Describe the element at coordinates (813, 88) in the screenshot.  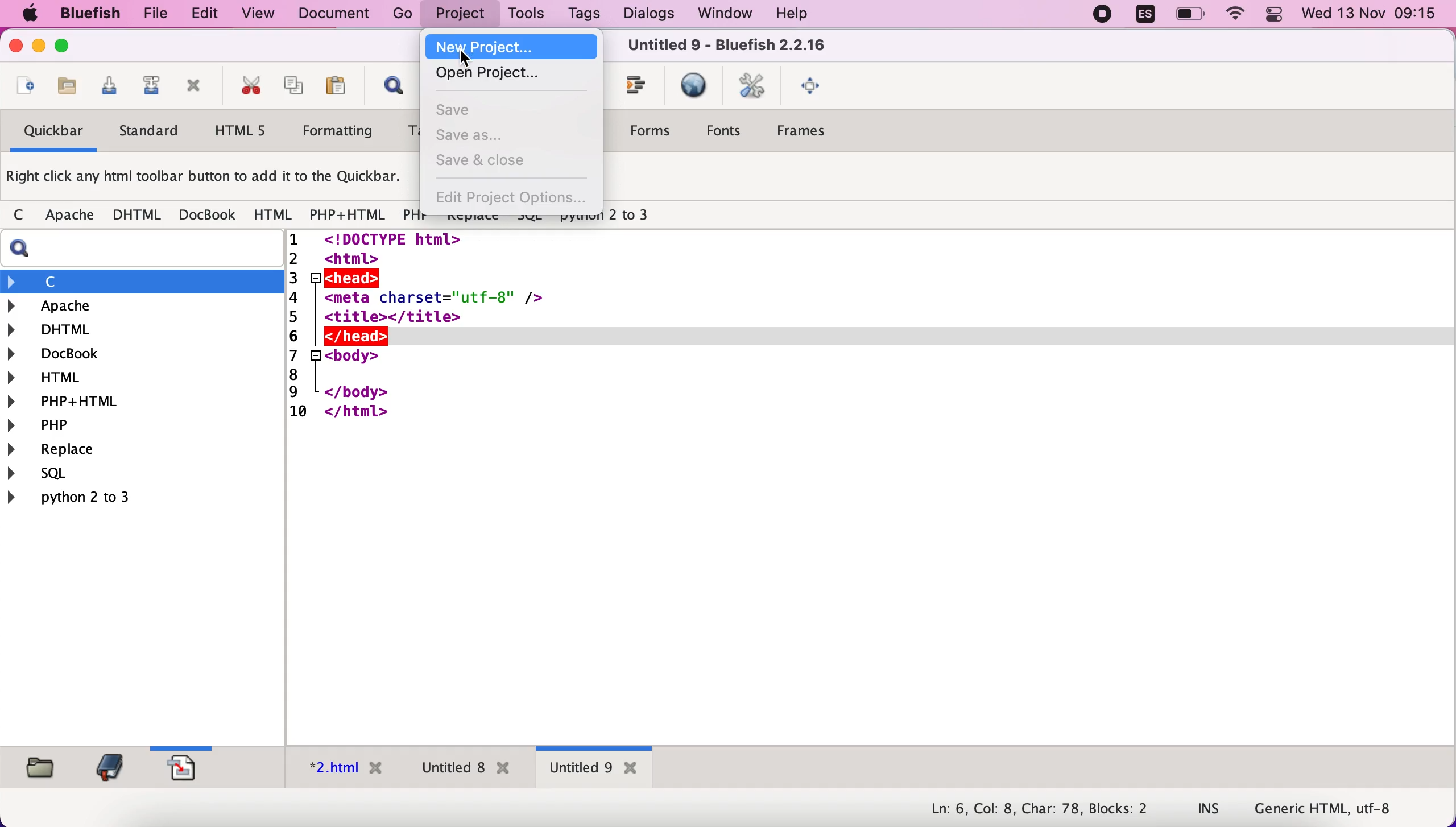
I see `full screen` at that location.